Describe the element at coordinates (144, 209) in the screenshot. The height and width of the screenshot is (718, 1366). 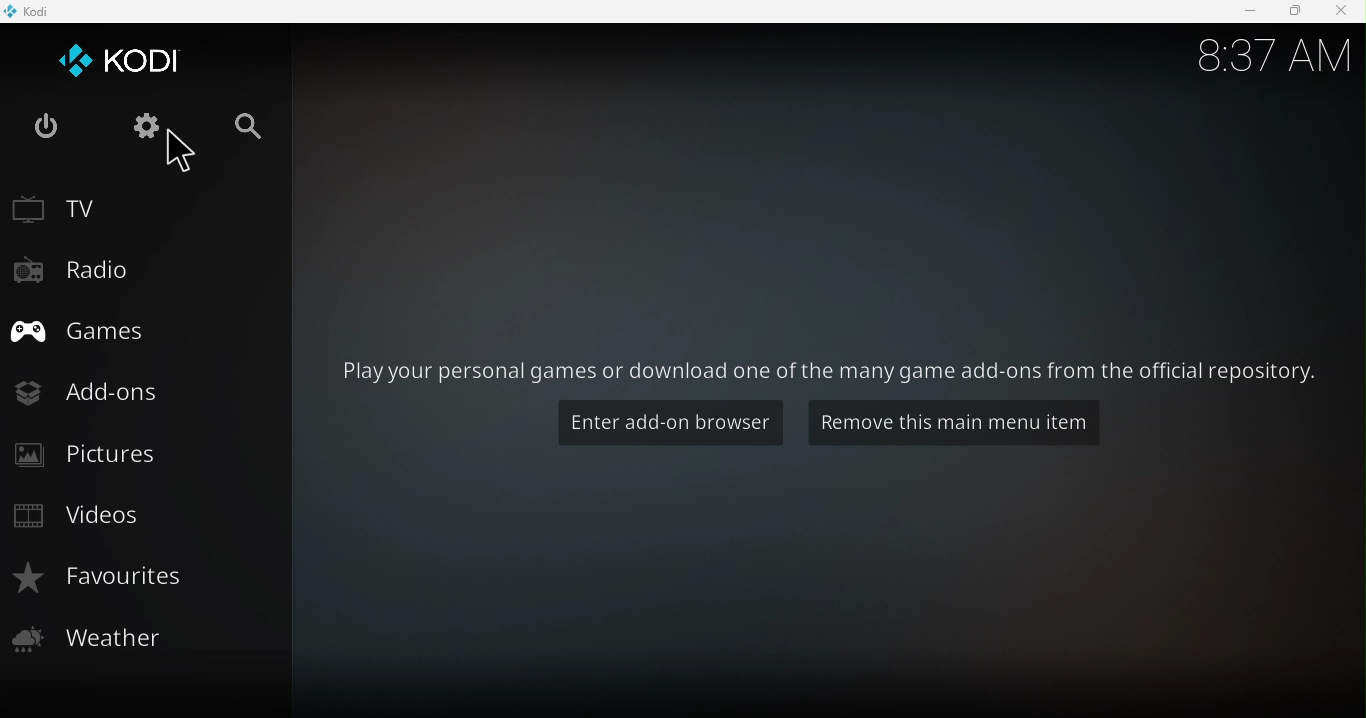
I see `TV ` at that location.